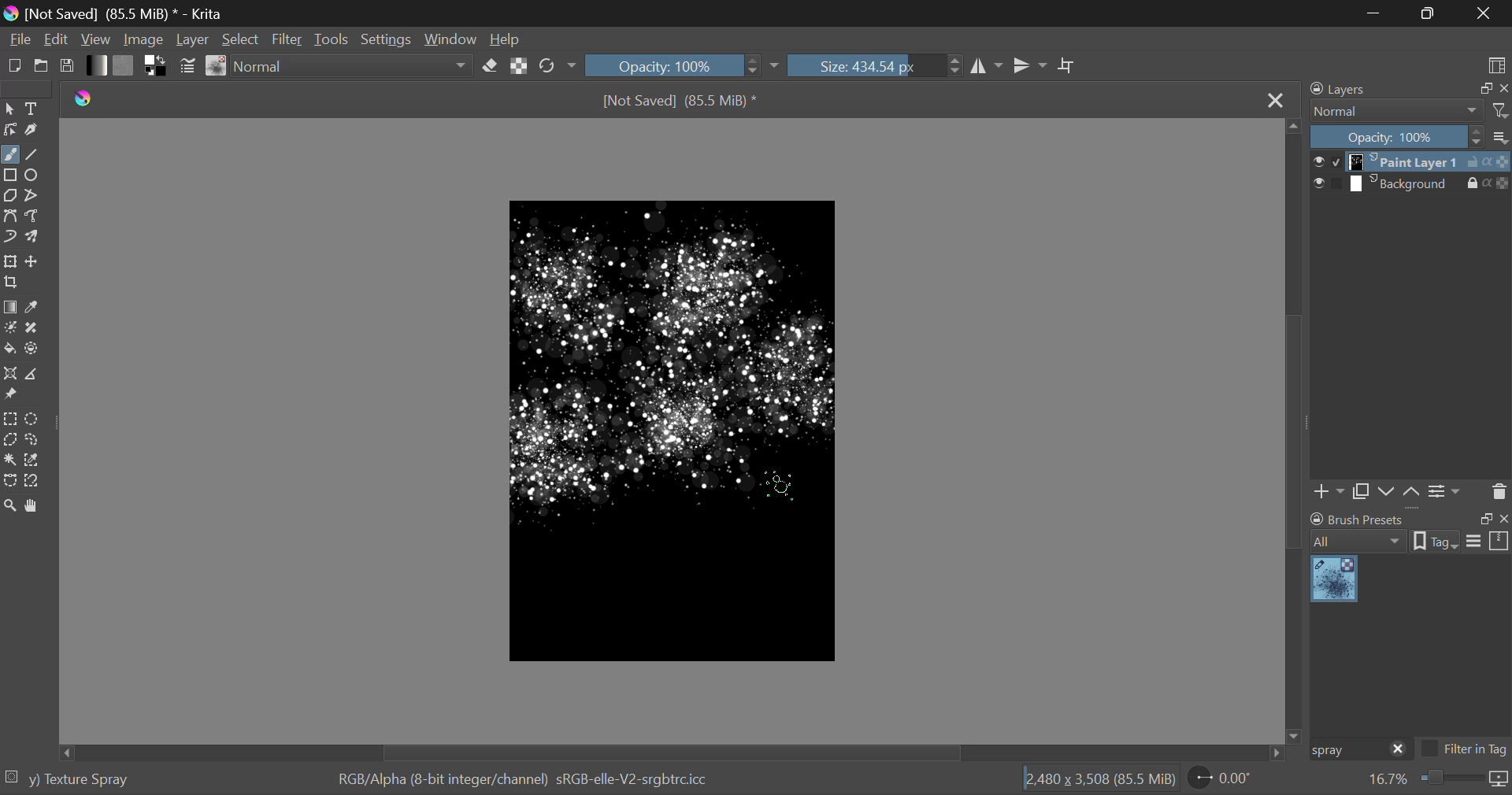  Describe the element at coordinates (33, 216) in the screenshot. I see `Freehand Path Tool` at that location.